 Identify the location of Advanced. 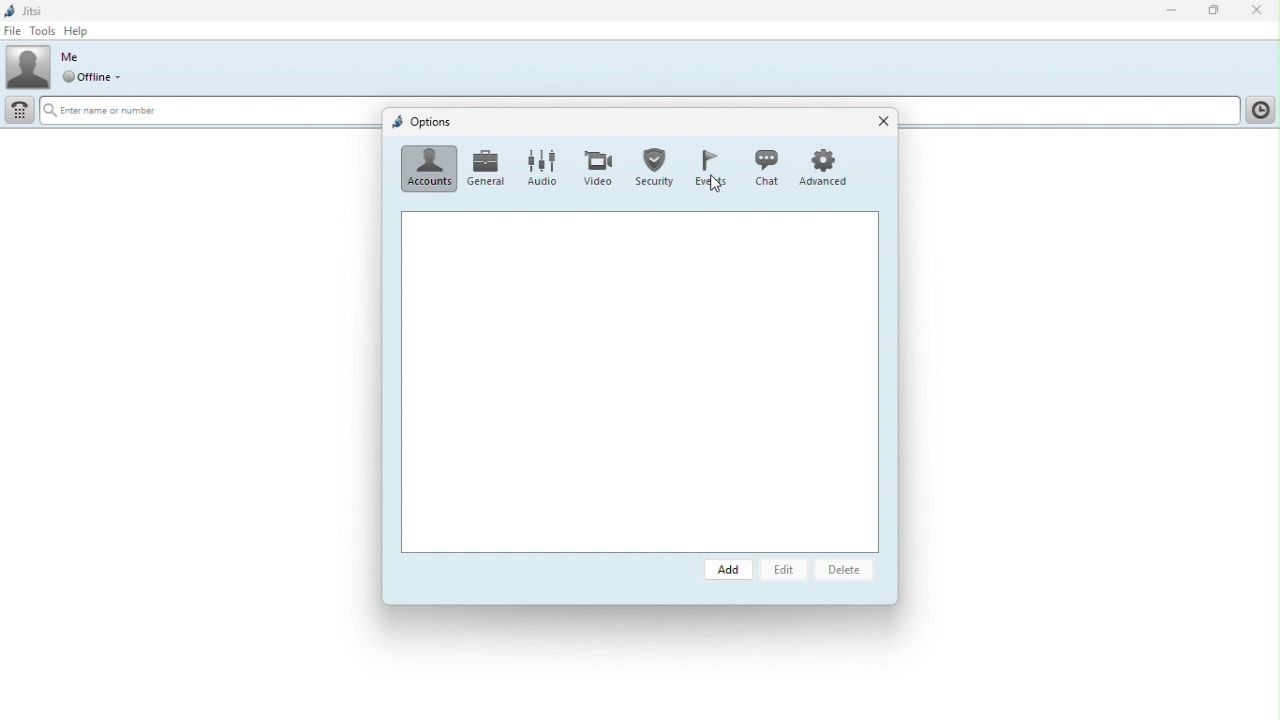
(827, 167).